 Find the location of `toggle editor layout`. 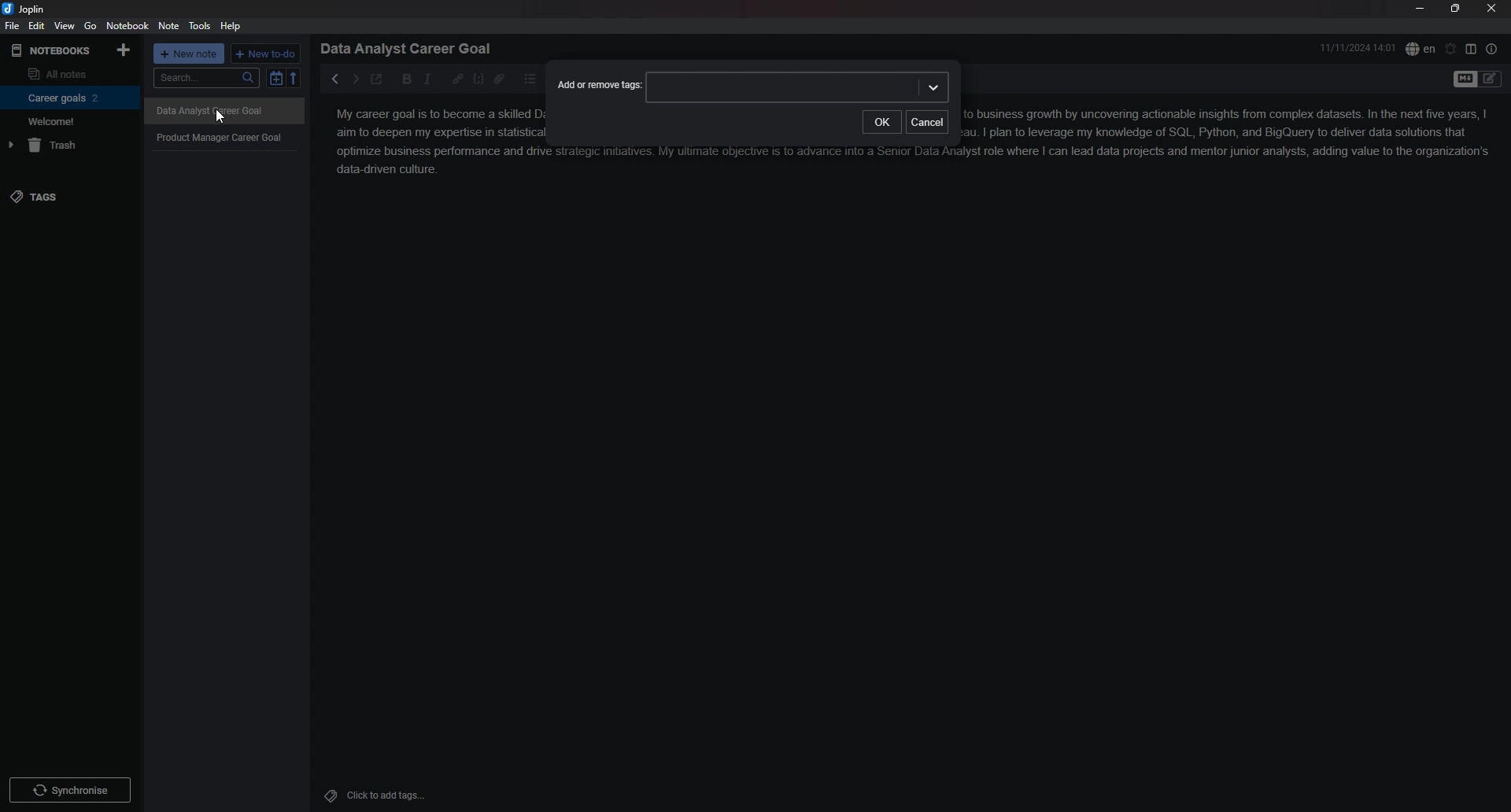

toggle editor layout is located at coordinates (1471, 48).